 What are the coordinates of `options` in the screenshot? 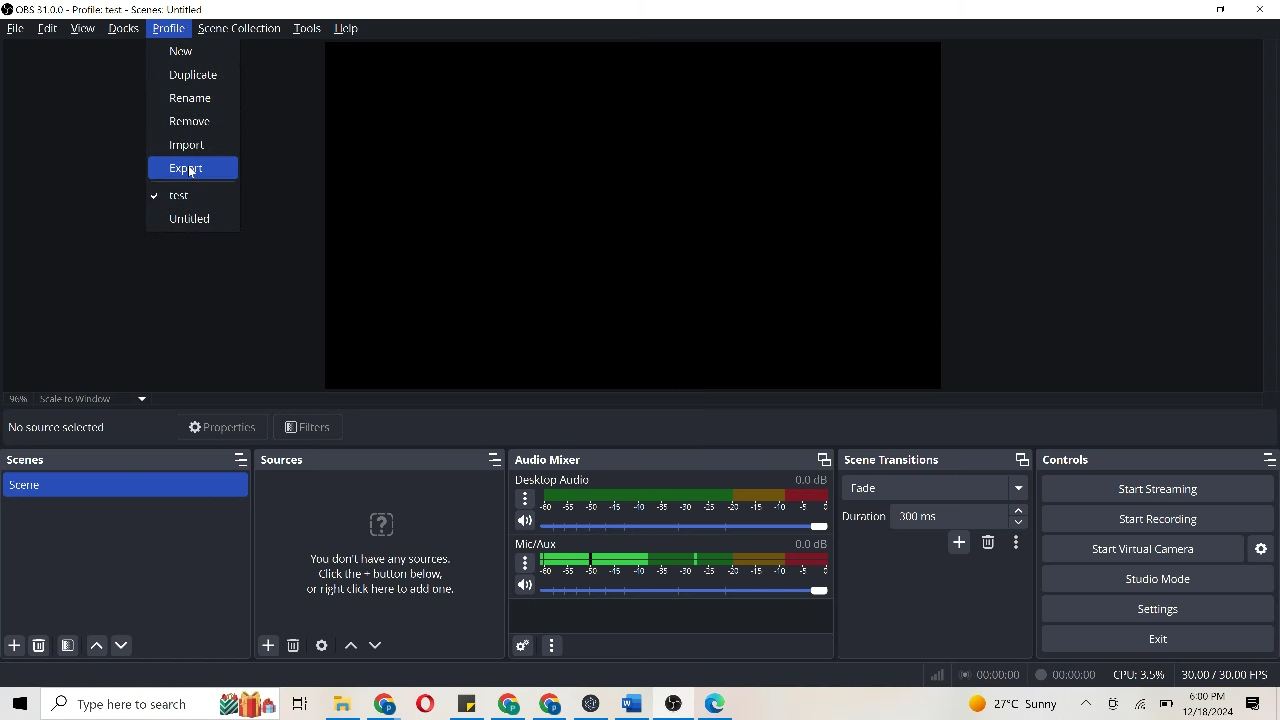 It's located at (524, 498).